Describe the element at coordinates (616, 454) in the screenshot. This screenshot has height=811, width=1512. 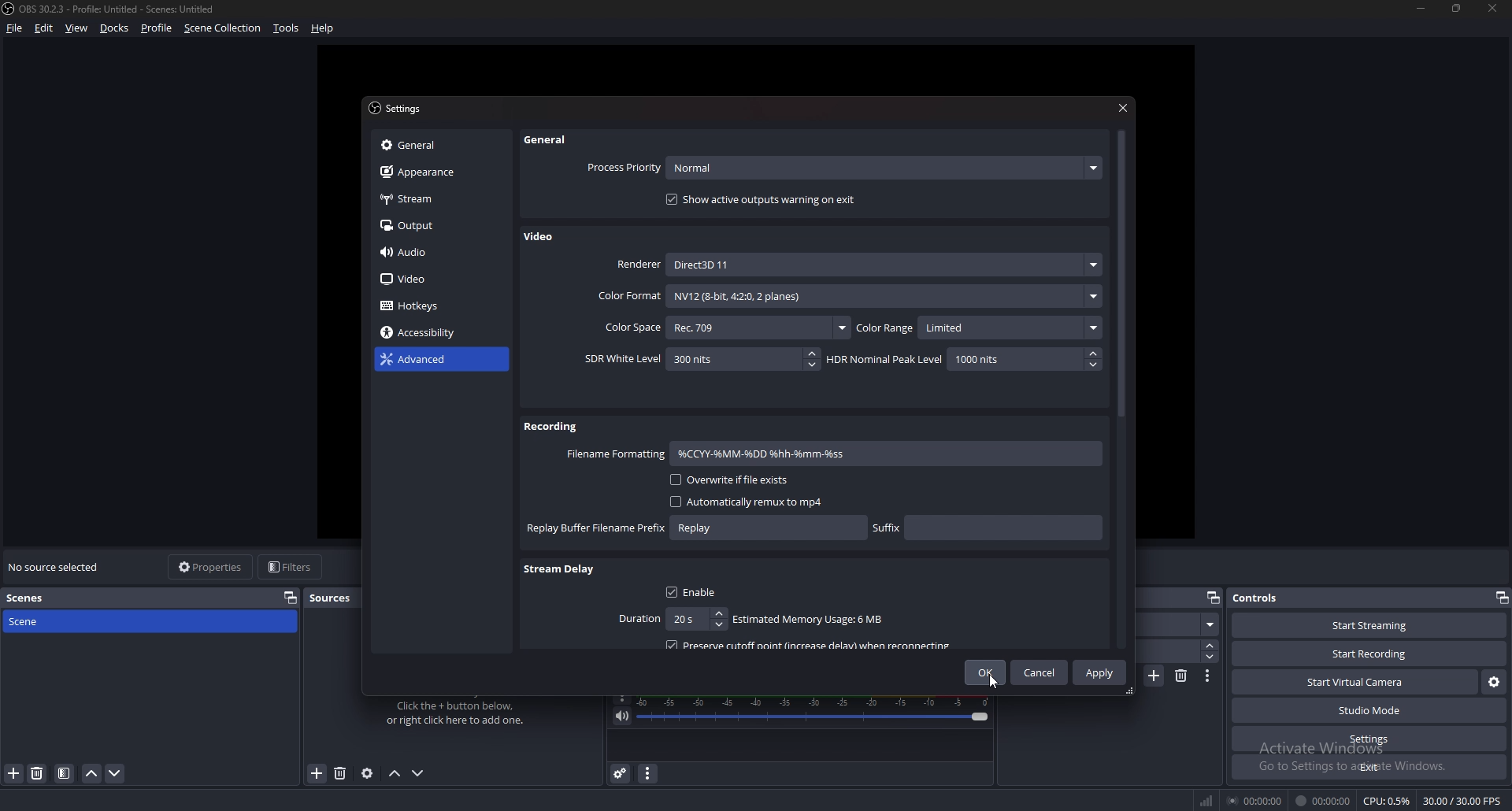
I see `Filename formatting` at that location.